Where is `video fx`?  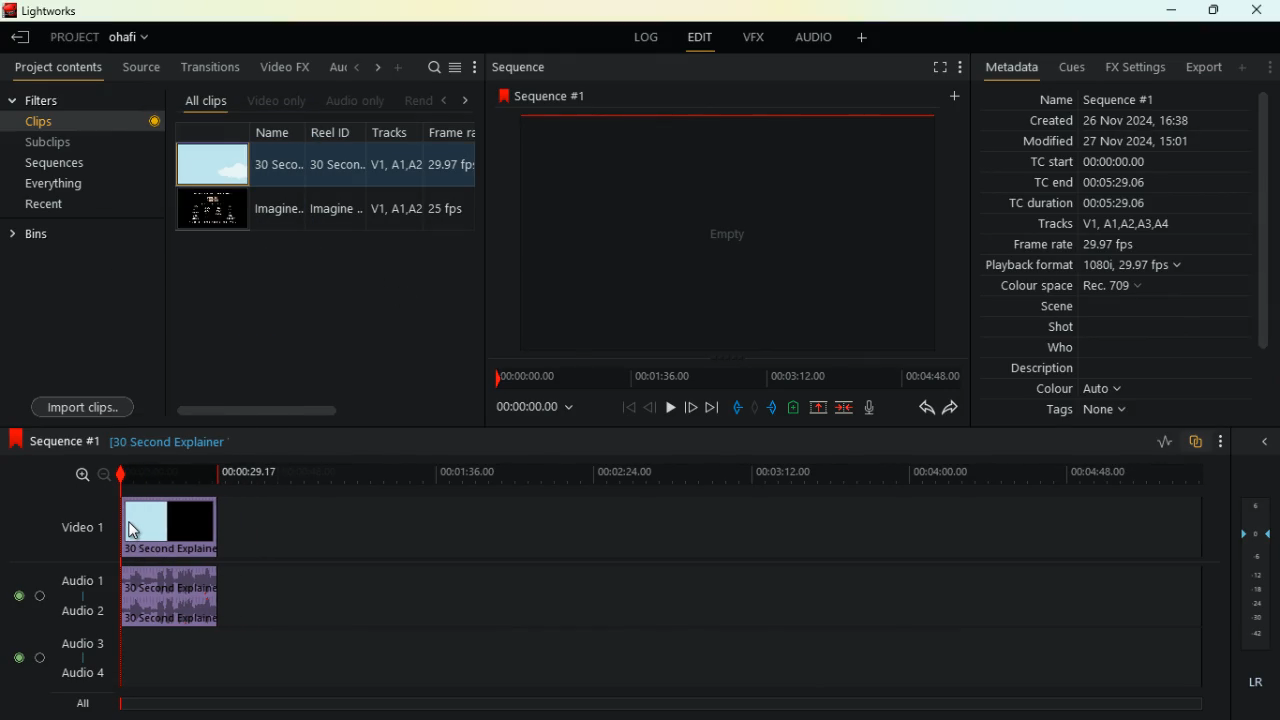
video fx is located at coordinates (282, 66).